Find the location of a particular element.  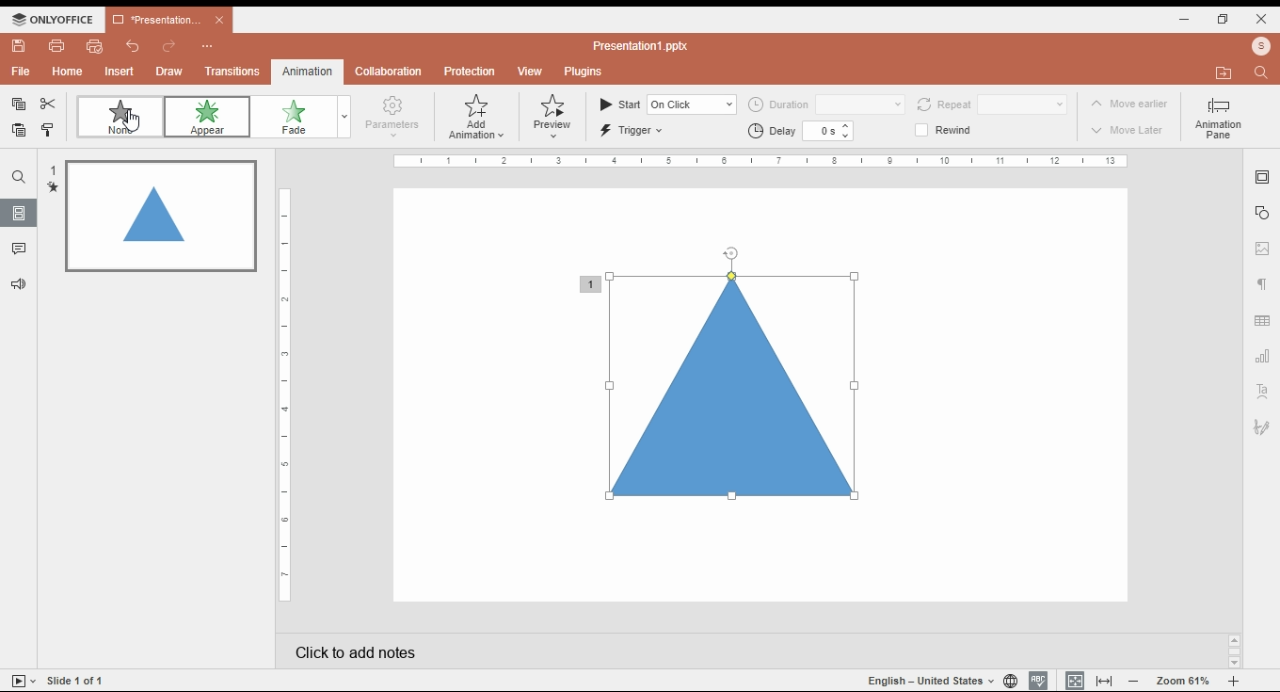

plugins is located at coordinates (585, 72).